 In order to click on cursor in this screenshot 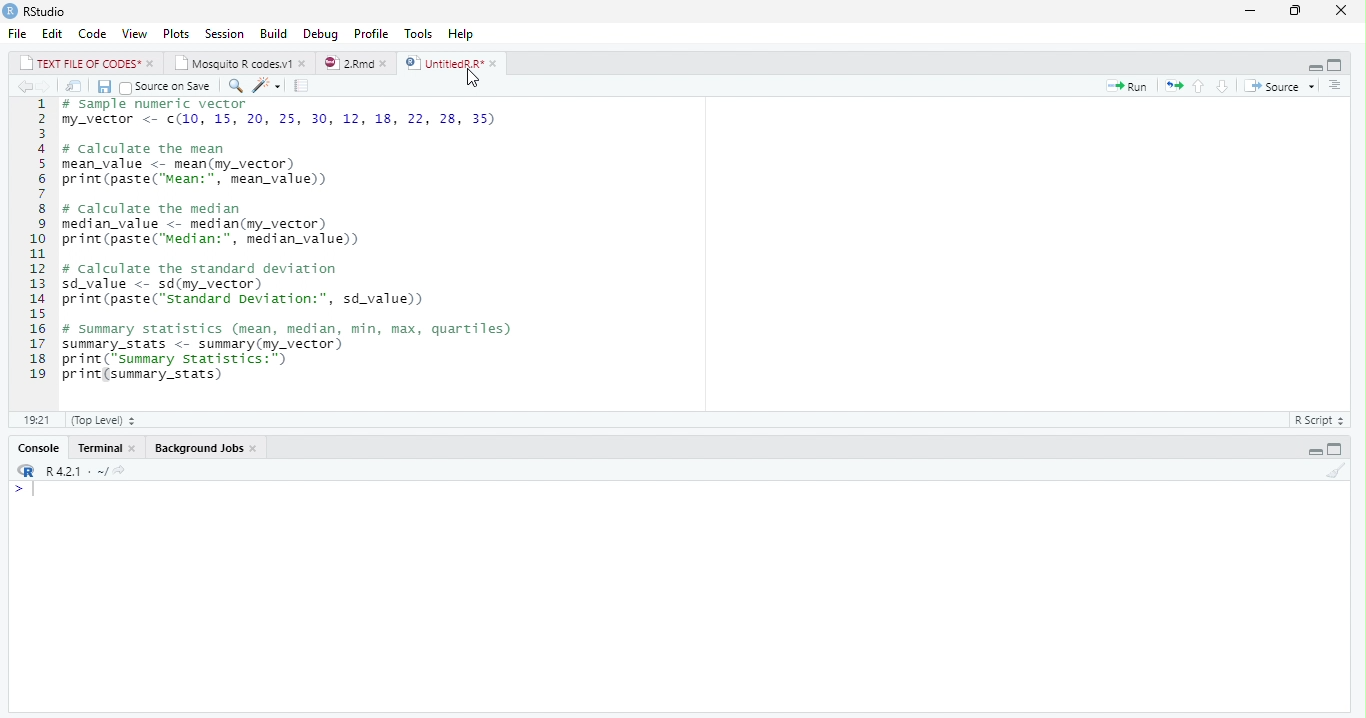, I will do `click(479, 81)`.